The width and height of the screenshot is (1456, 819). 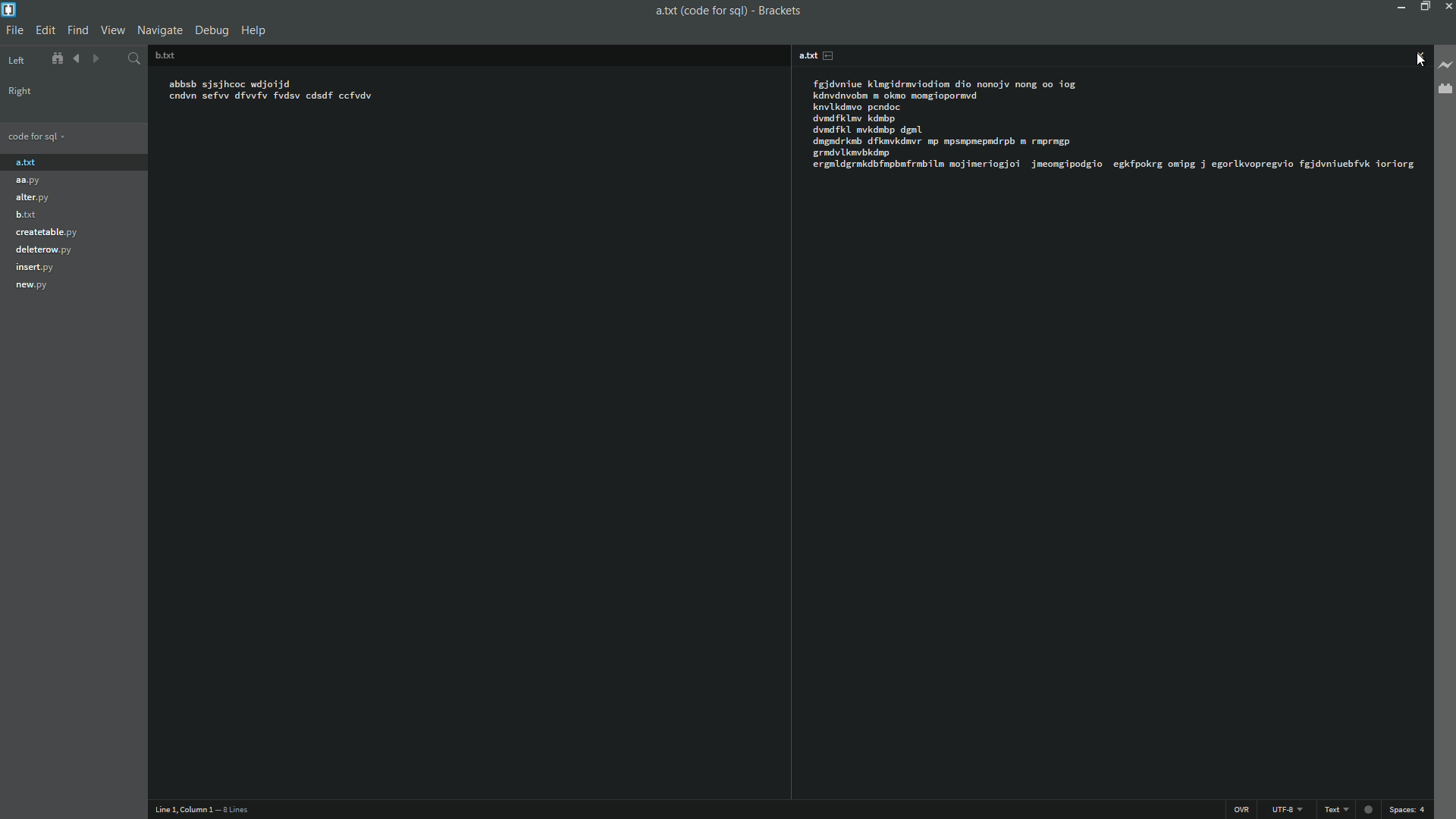 What do you see at coordinates (1109, 126) in the screenshot?
I see `fejdvnive kimgidrmviodiom dio nonojv nong co fog.

kdnvdnvobm m okmo momgiopormvd

knvlkdavo pendoc

dvnd filmy kdnbp

dvndfkL mvkdnbp dgnl

dmgndrknb_dfknvkdnvr mp mpsmpmepndrpb m rmprmgp

erndylkmvbkdnp

ergnldgrmkdbfmpbafrnbiln mojimeriogjoi jmeomgipodgio egkfpokrg omipg j egorlkvopregvio fgjdvniuebfvk ioriorg` at bounding box center [1109, 126].